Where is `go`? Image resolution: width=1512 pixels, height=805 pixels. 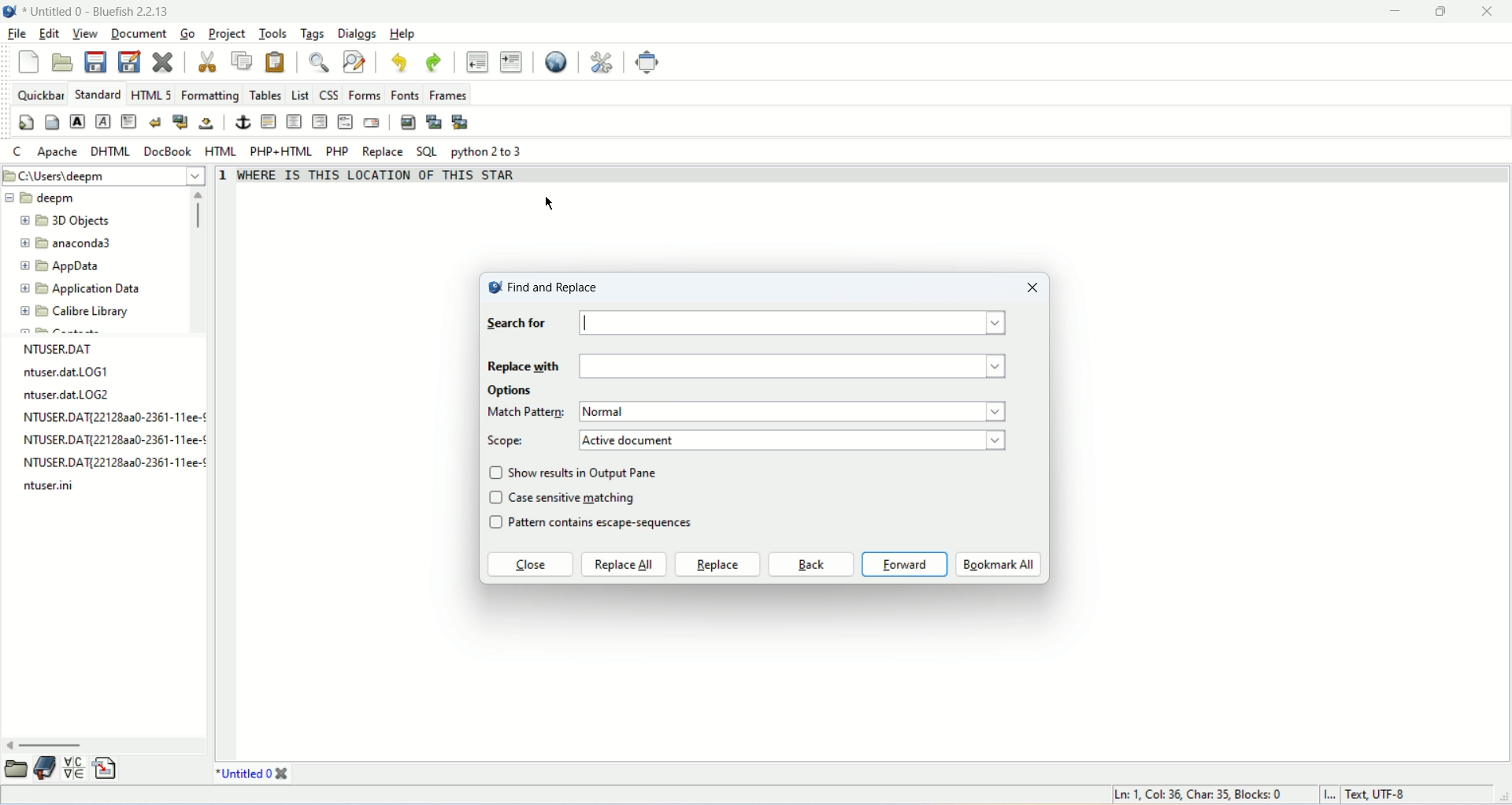
go is located at coordinates (187, 32).